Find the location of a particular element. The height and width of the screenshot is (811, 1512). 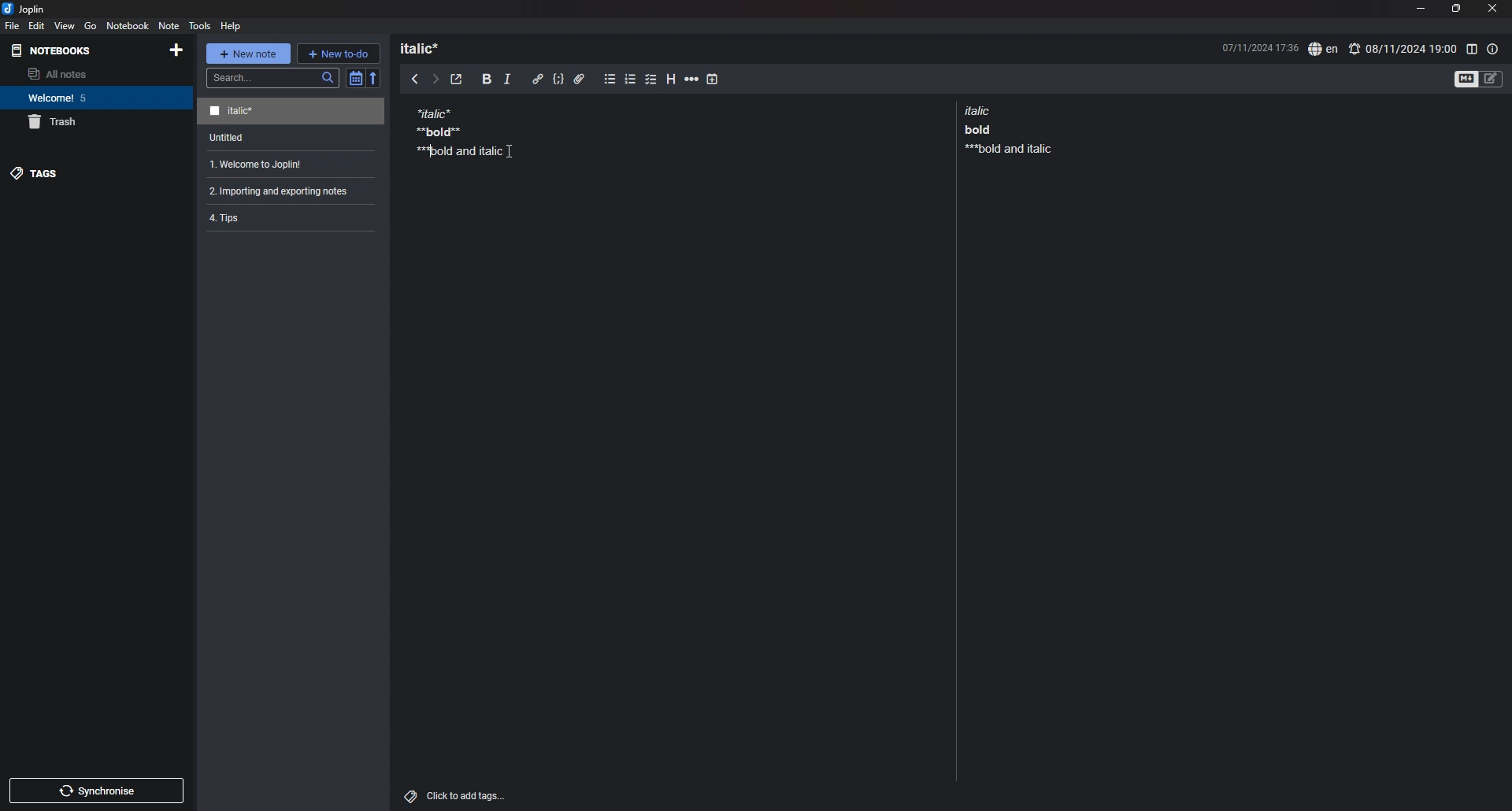

notebook is located at coordinates (94, 98).